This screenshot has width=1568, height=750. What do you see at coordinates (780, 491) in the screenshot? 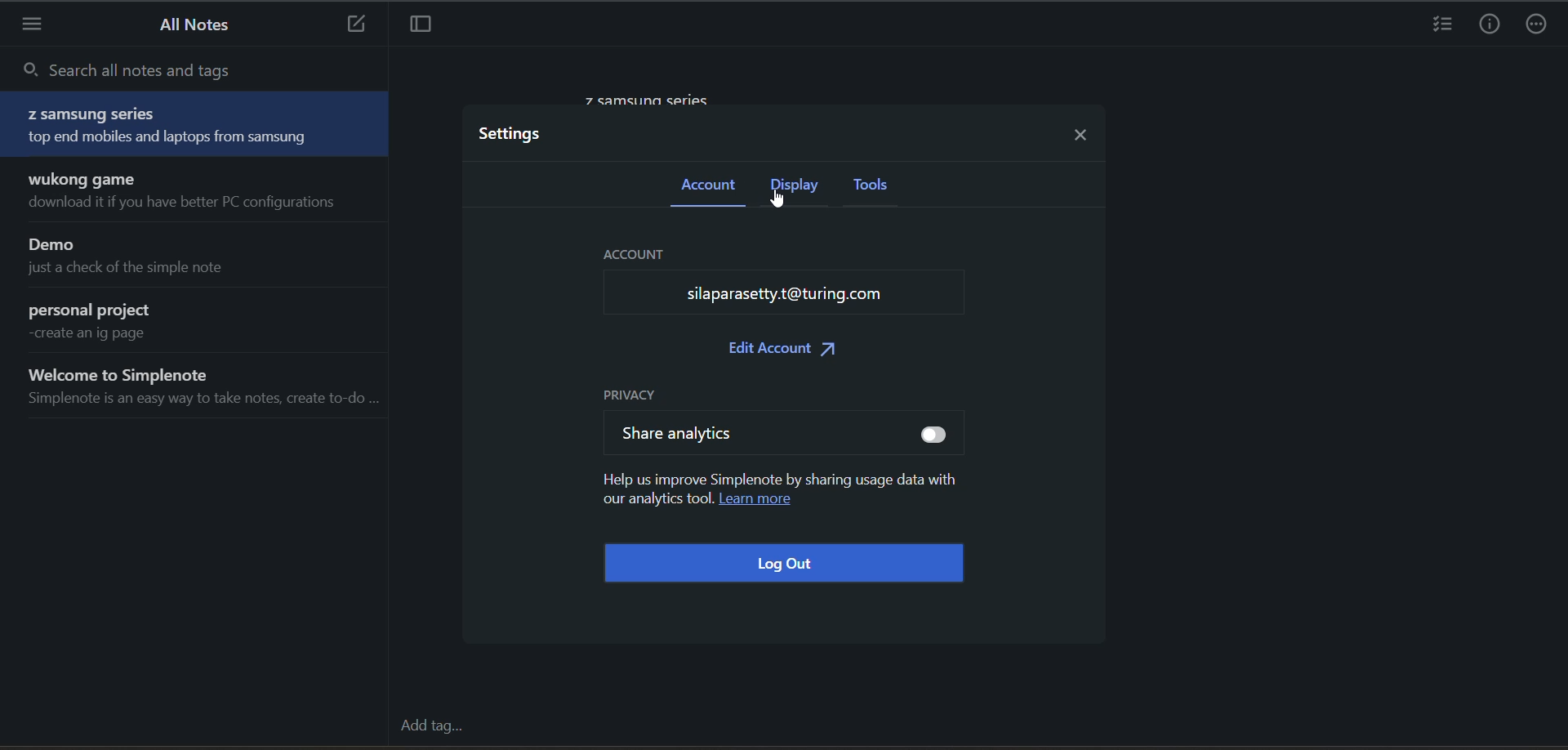
I see `Help us improve Simplenote by sharing usage data with
our analytics tool. Learn more` at bounding box center [780, 491].